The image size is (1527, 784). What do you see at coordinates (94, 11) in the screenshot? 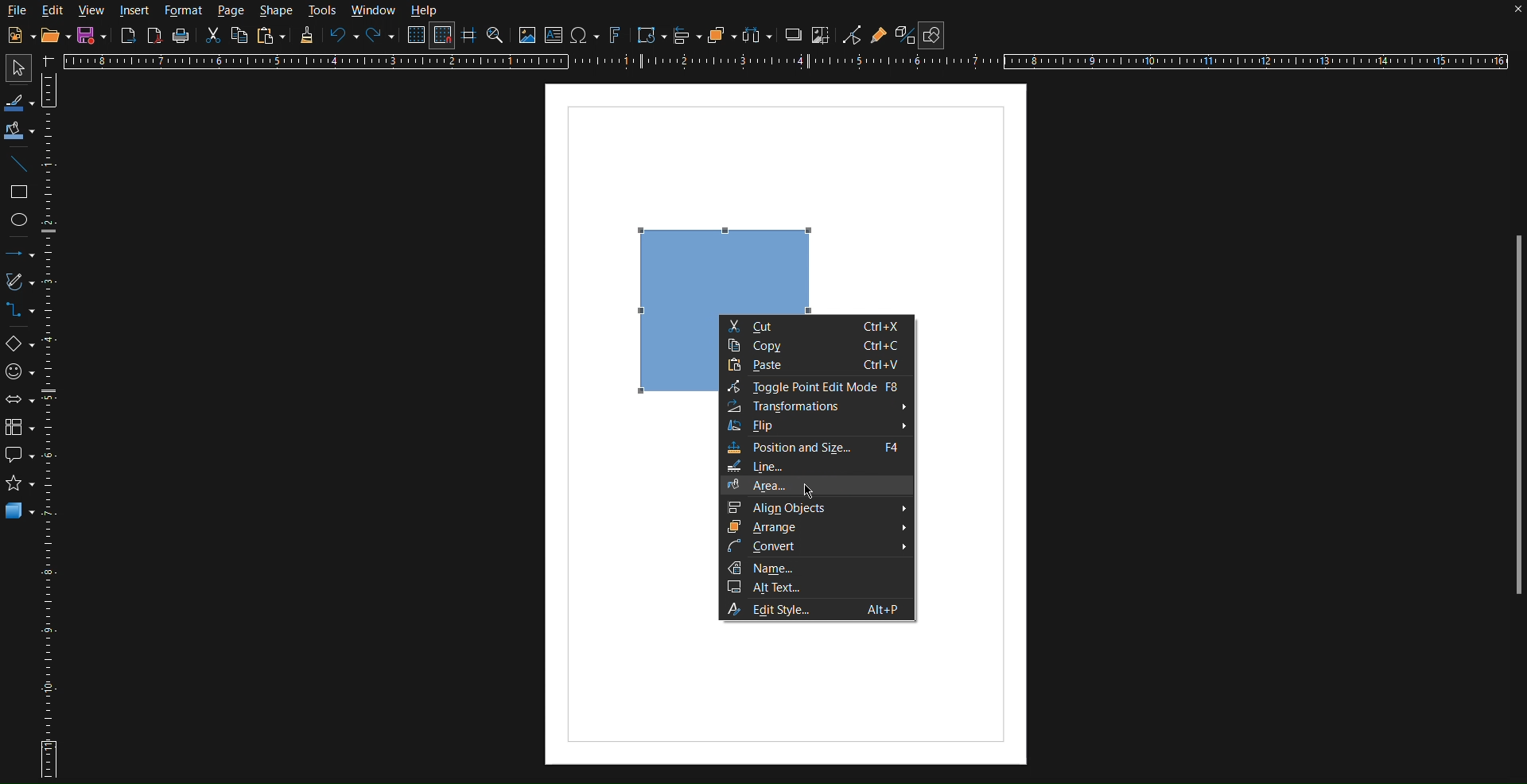
I see `View` at bounding box center [94, 11].